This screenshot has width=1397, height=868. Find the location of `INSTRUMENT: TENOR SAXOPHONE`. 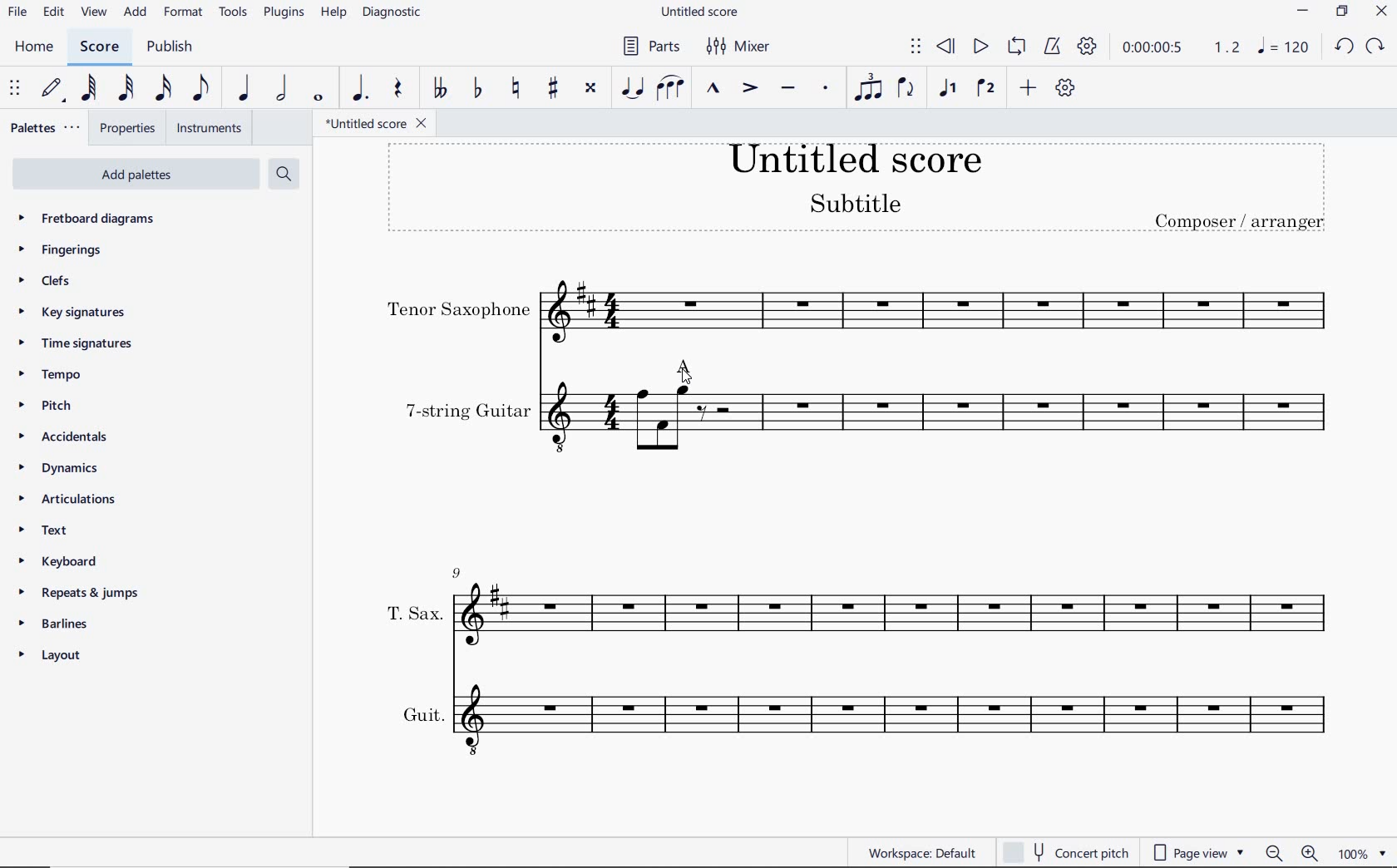

INSTRUMENT: TENOR SAXOPHONE is located at coordinates (866, 311).